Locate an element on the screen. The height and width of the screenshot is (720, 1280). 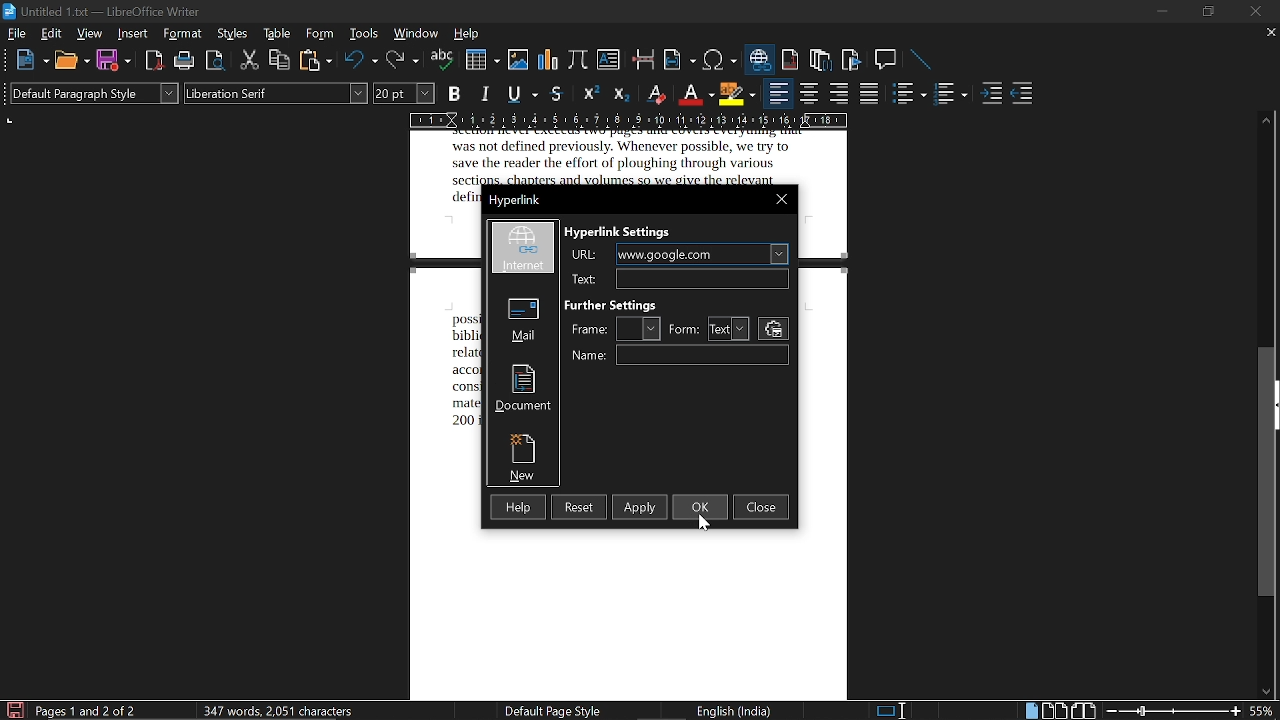
toggle print preview is located at coordinates (216, 61).